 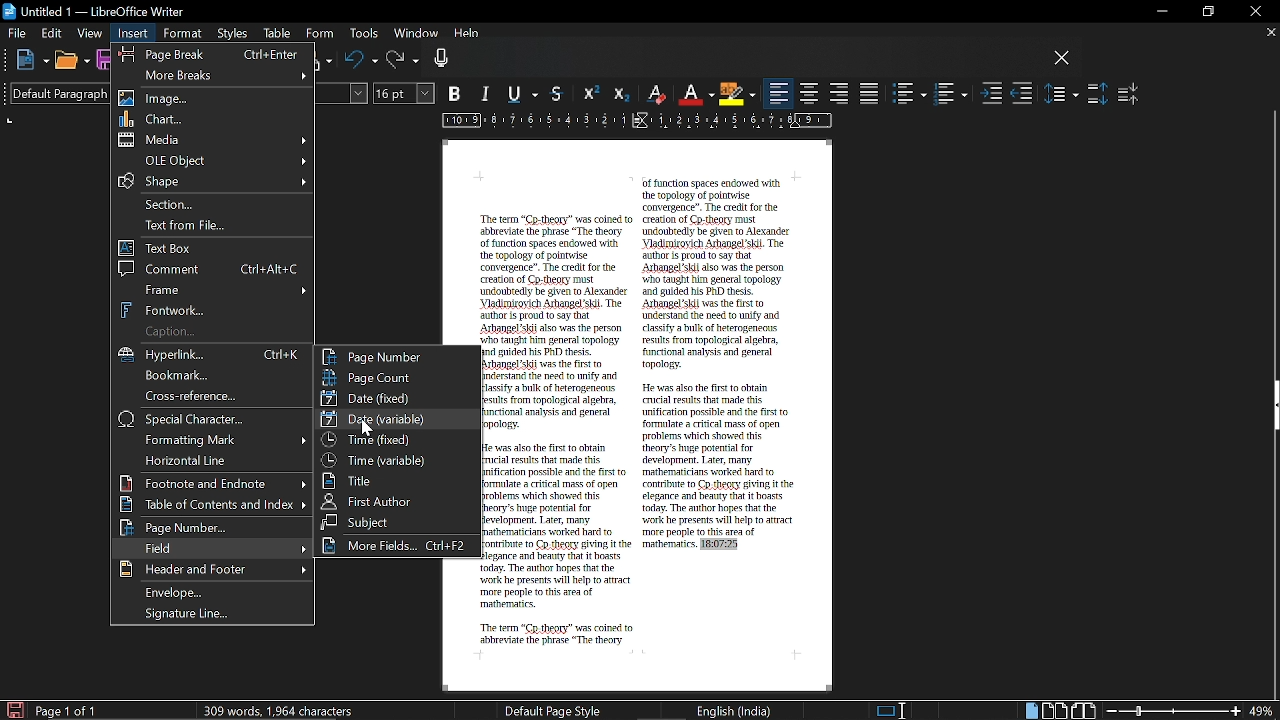 What do you see at coordinates (214, 505) in the screenshot?
I see `Table of contents and index` at bounding box center [214, 505].